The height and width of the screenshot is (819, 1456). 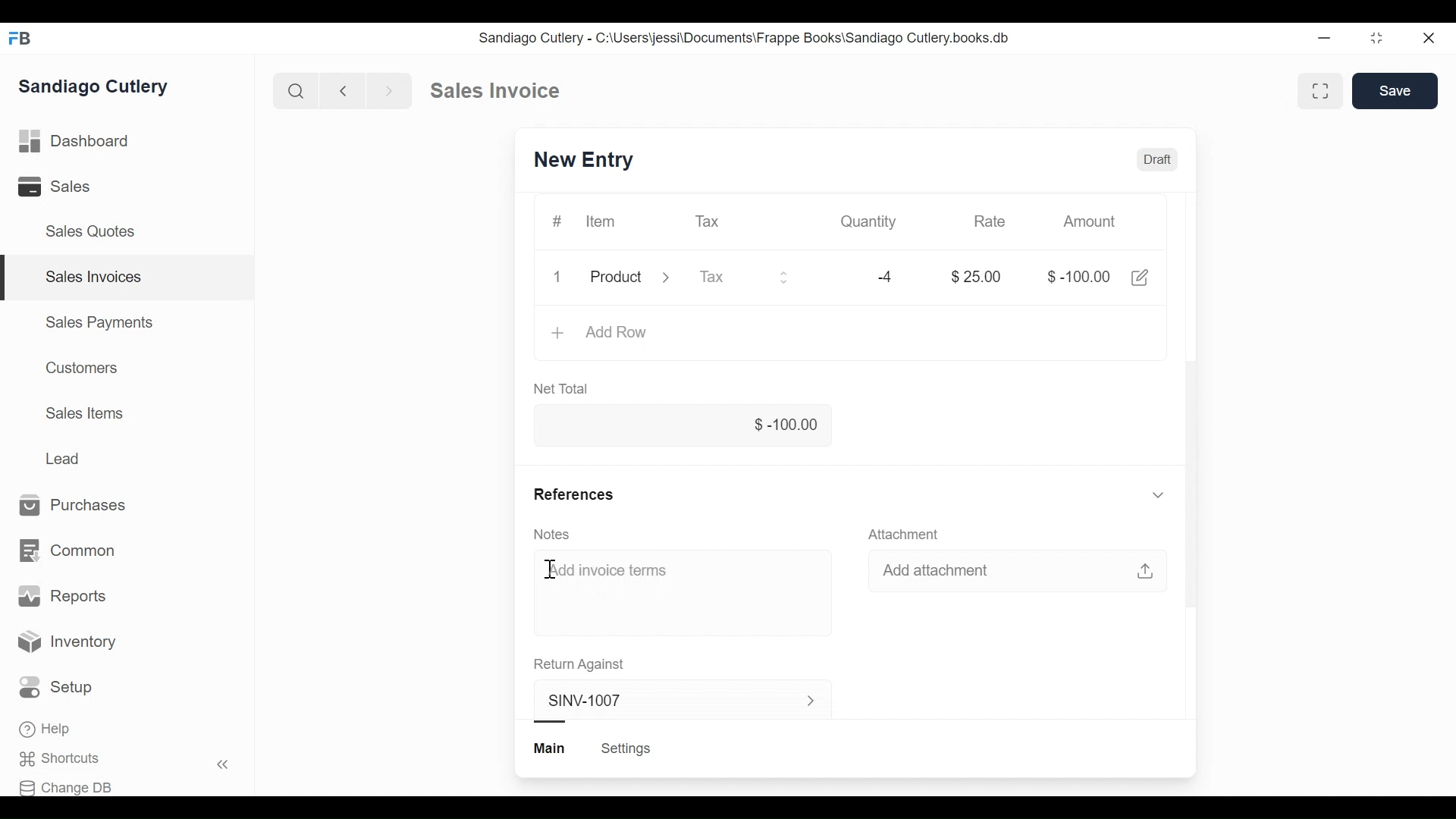 I want to click on Purchases, so click(x=73, y=504).